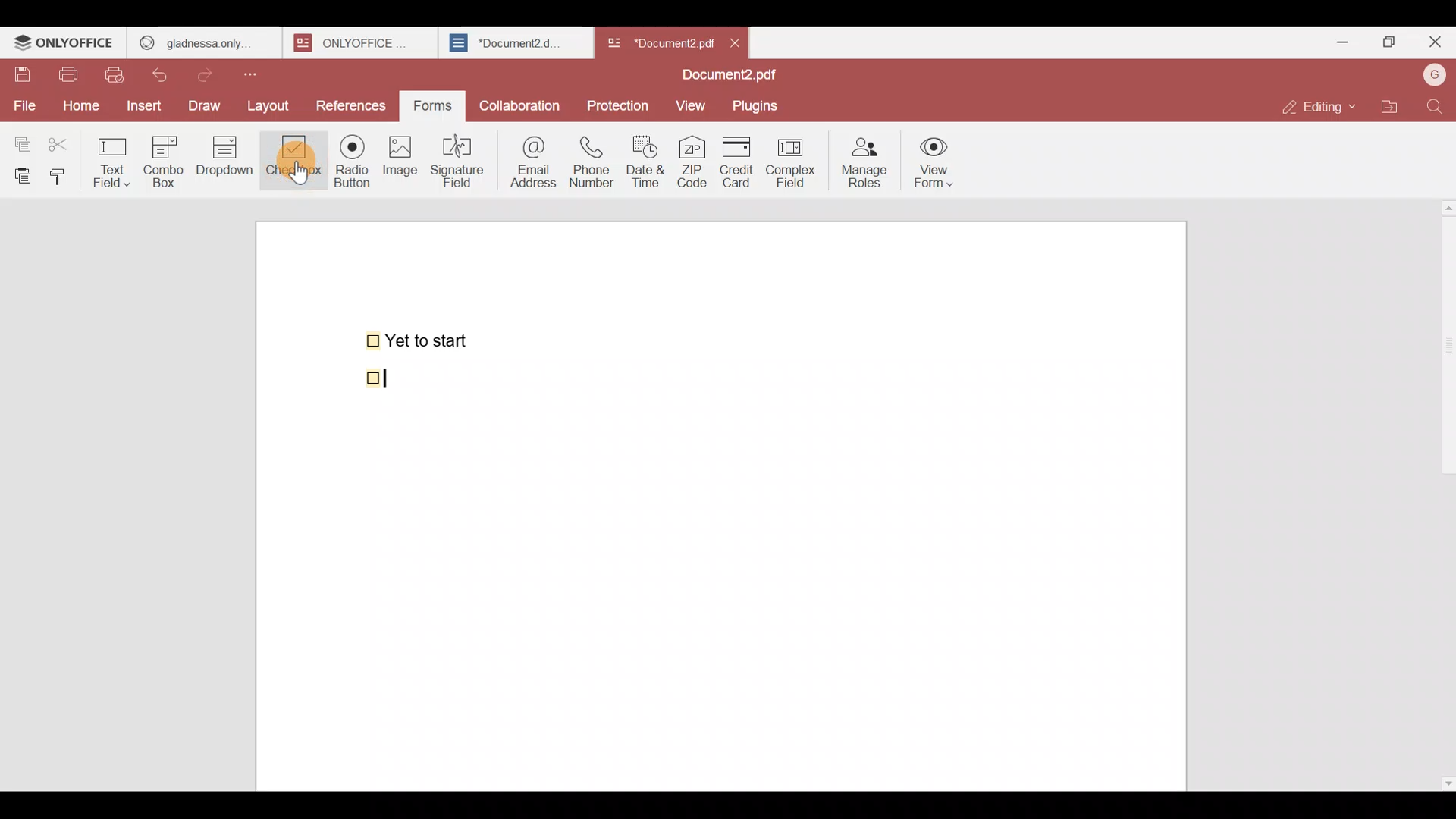 This screenshot has height=819, width=1456. What do you see at coordinates (936, 163) in the screenshot?
I see `View form` at bounding box center [936, 163].